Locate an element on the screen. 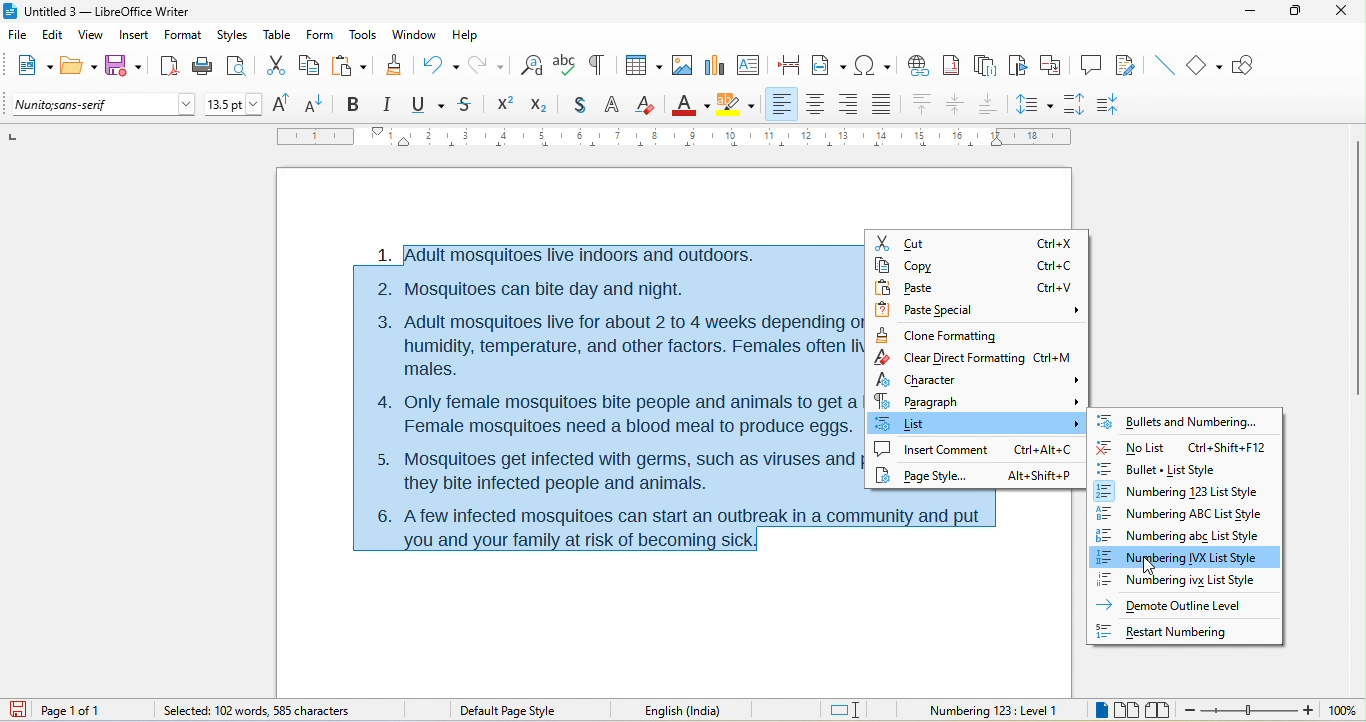  numbering abc list style is located at coordinates (1181, 515).